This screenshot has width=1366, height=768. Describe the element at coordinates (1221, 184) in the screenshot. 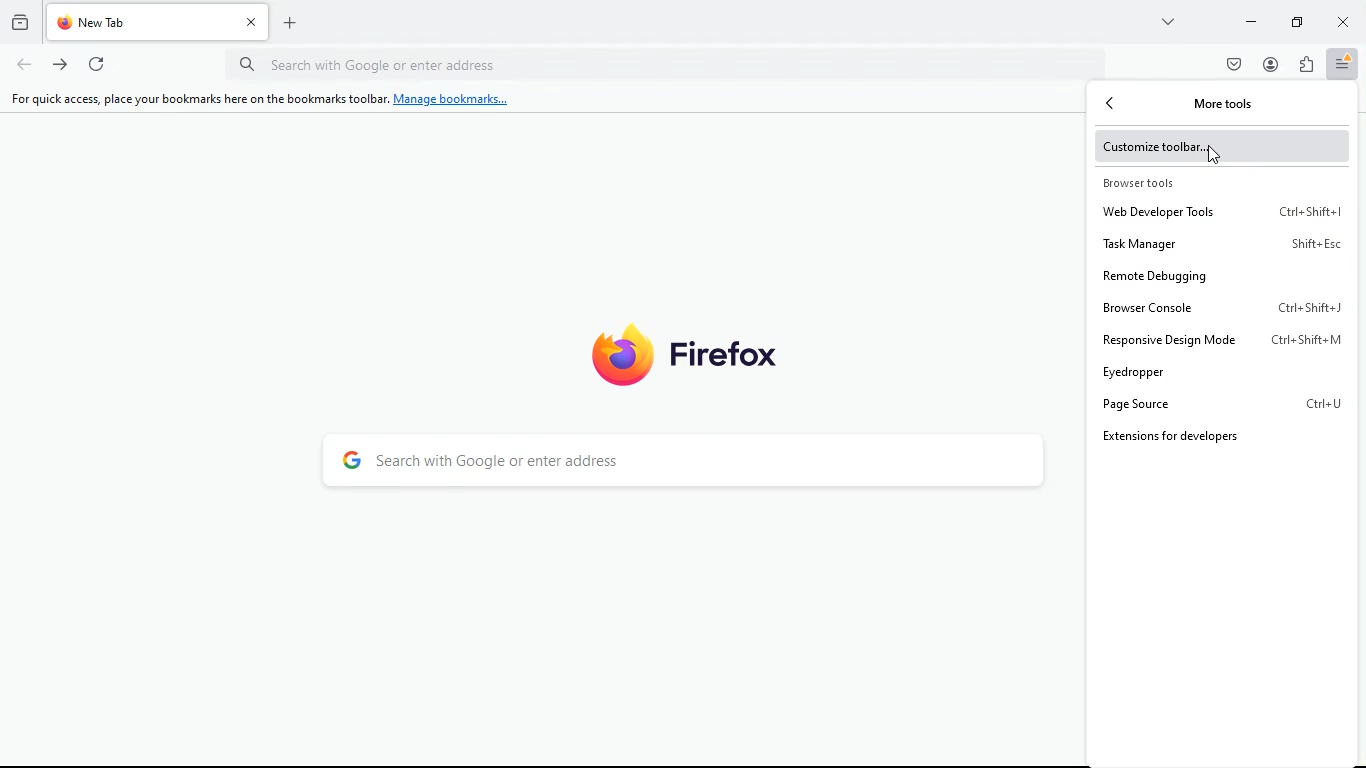

I see `browser tools` at that location.